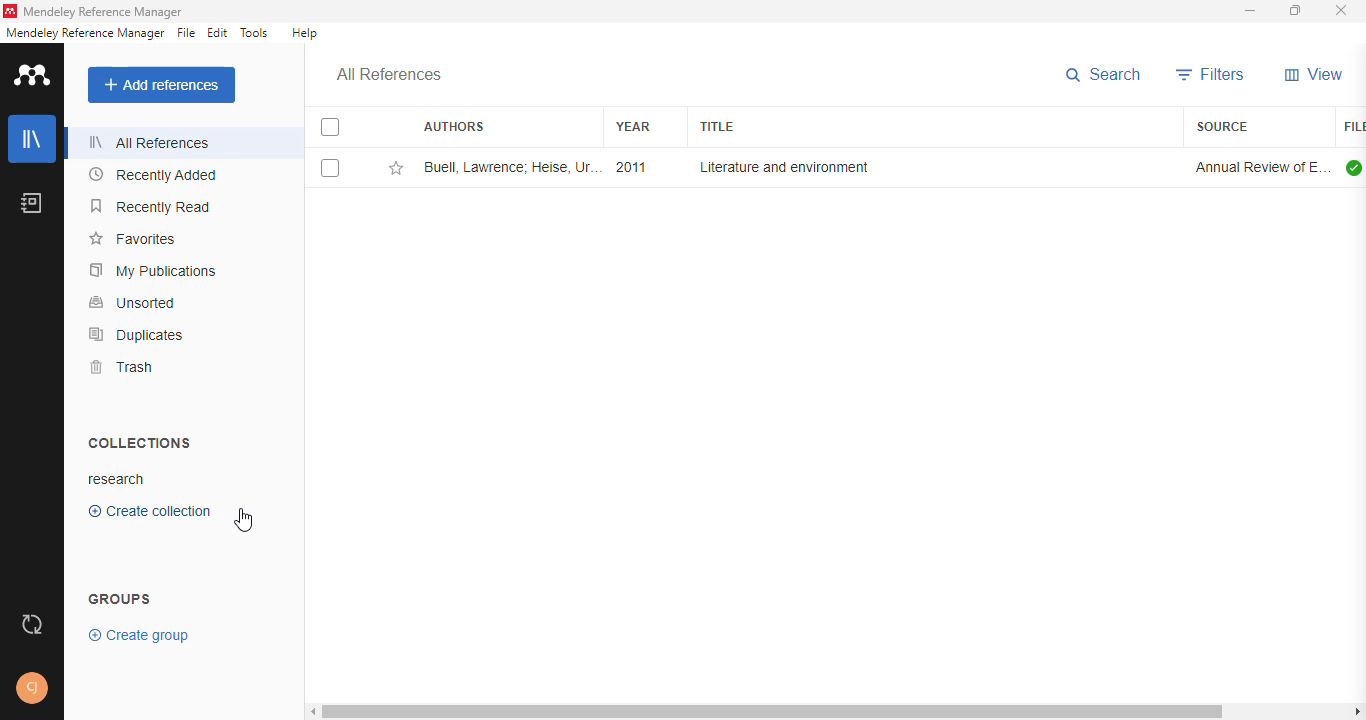 The width and height of the screenshot is (1366, 720). I want to click on Buell Lawrence; Heise U, ThornberK, so click(511, 167).